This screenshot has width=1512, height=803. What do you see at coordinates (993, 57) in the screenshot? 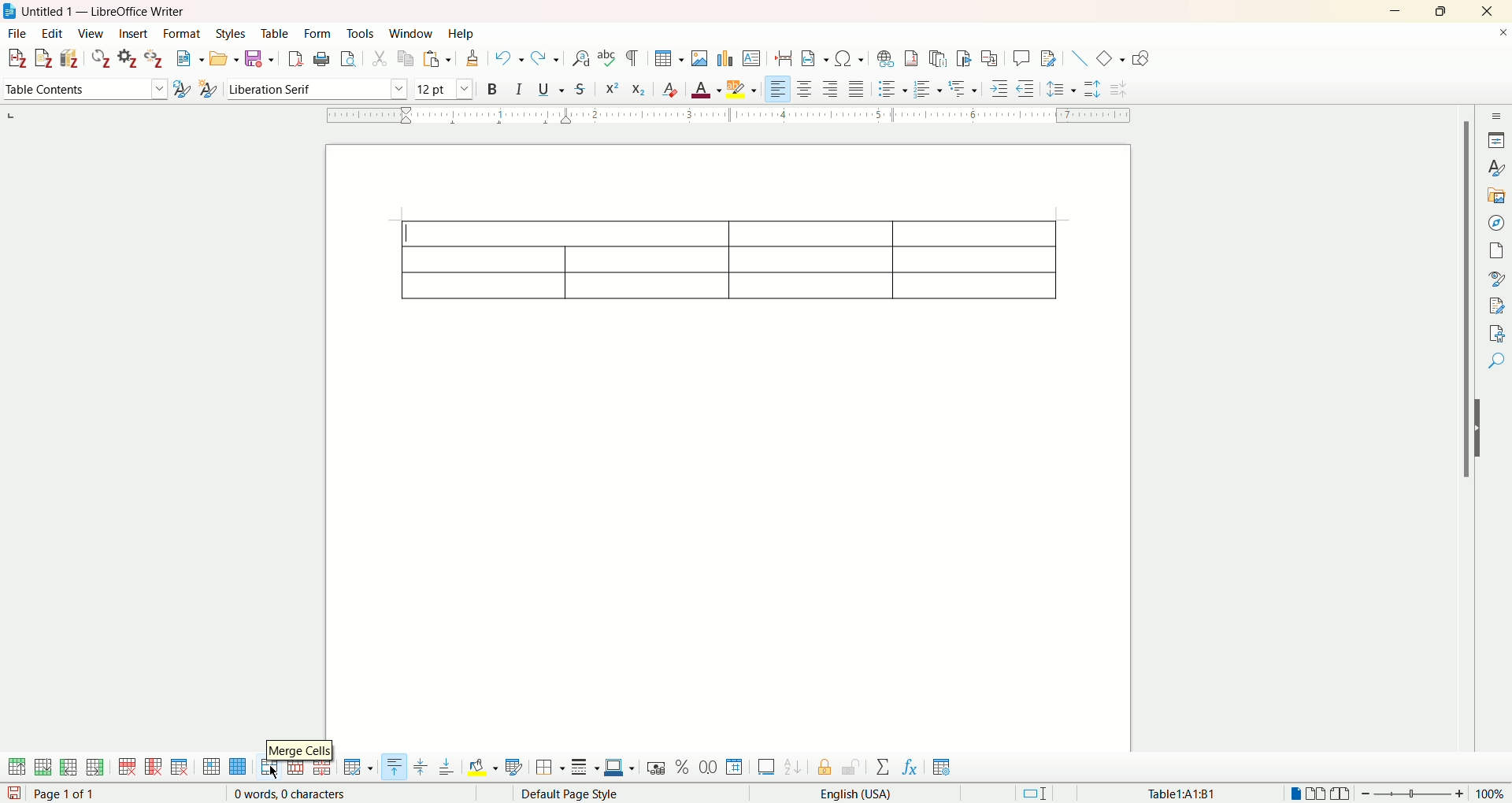
I see `insert cross-reference` at bounding box center [993, 57].